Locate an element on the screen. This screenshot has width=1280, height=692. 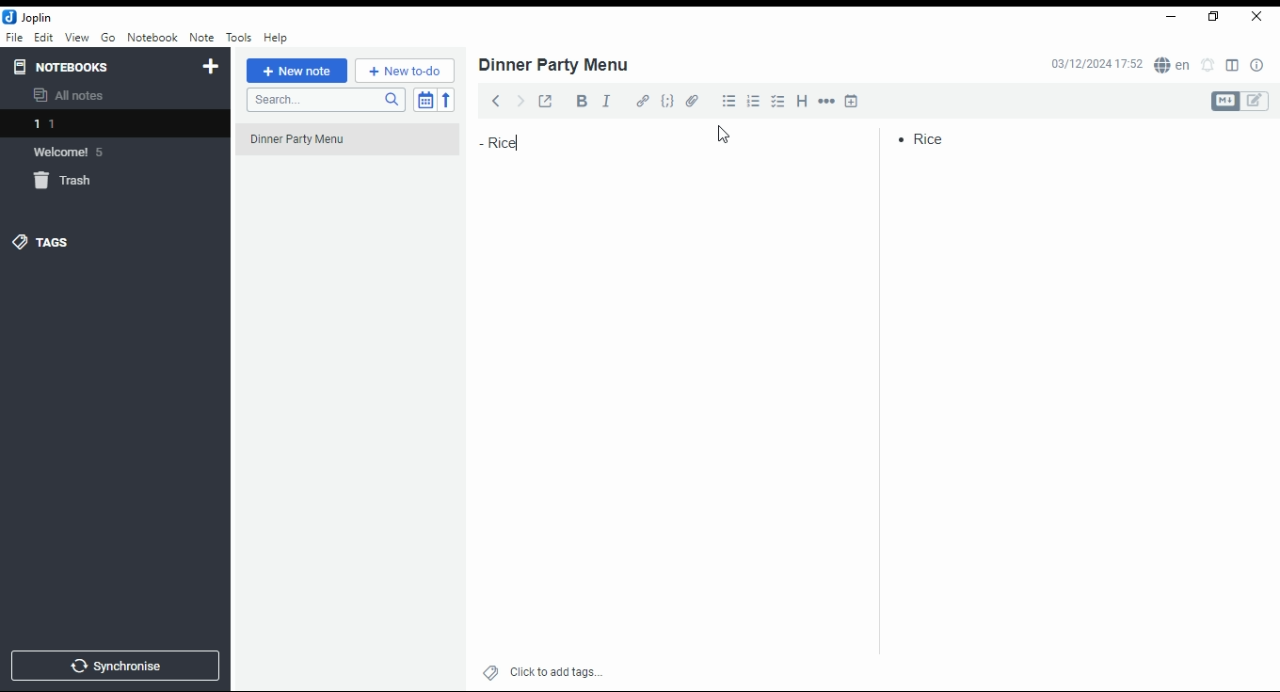
edit is located at coordinates (44, 37).